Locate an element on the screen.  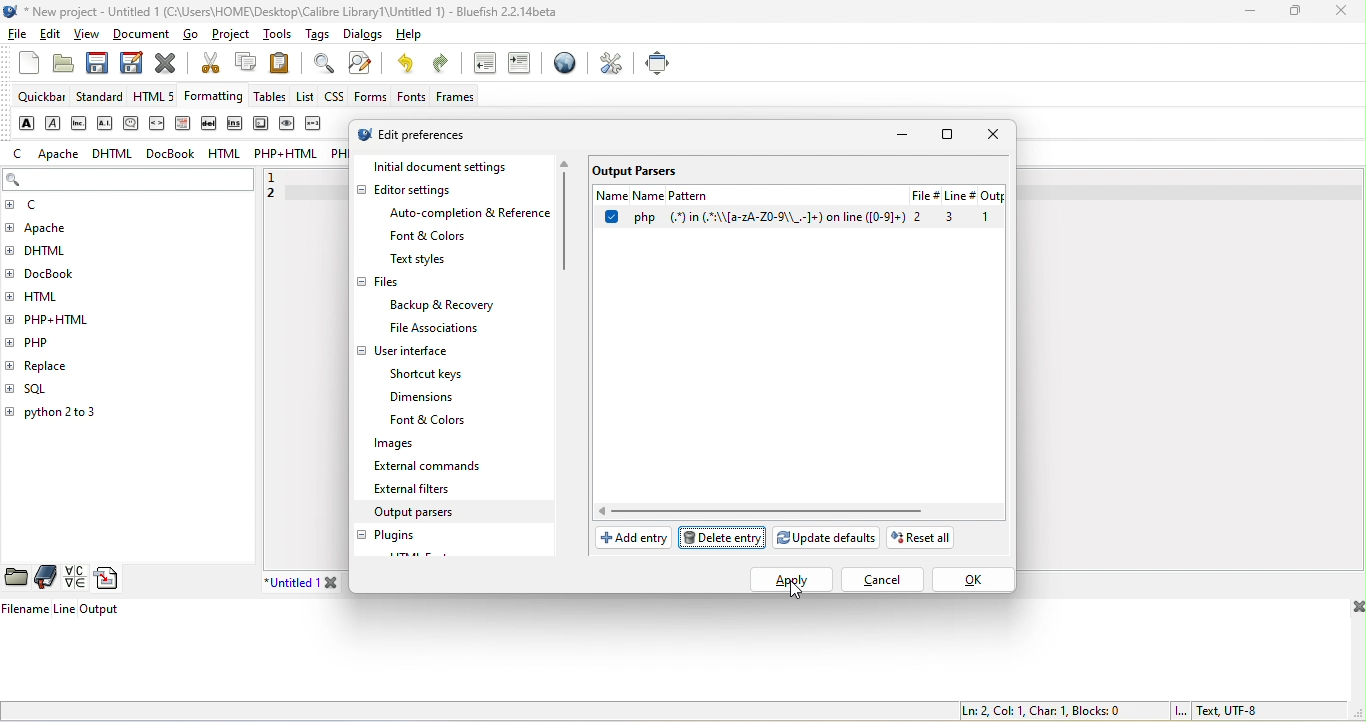
maximize is located at coordinates (948, 137).